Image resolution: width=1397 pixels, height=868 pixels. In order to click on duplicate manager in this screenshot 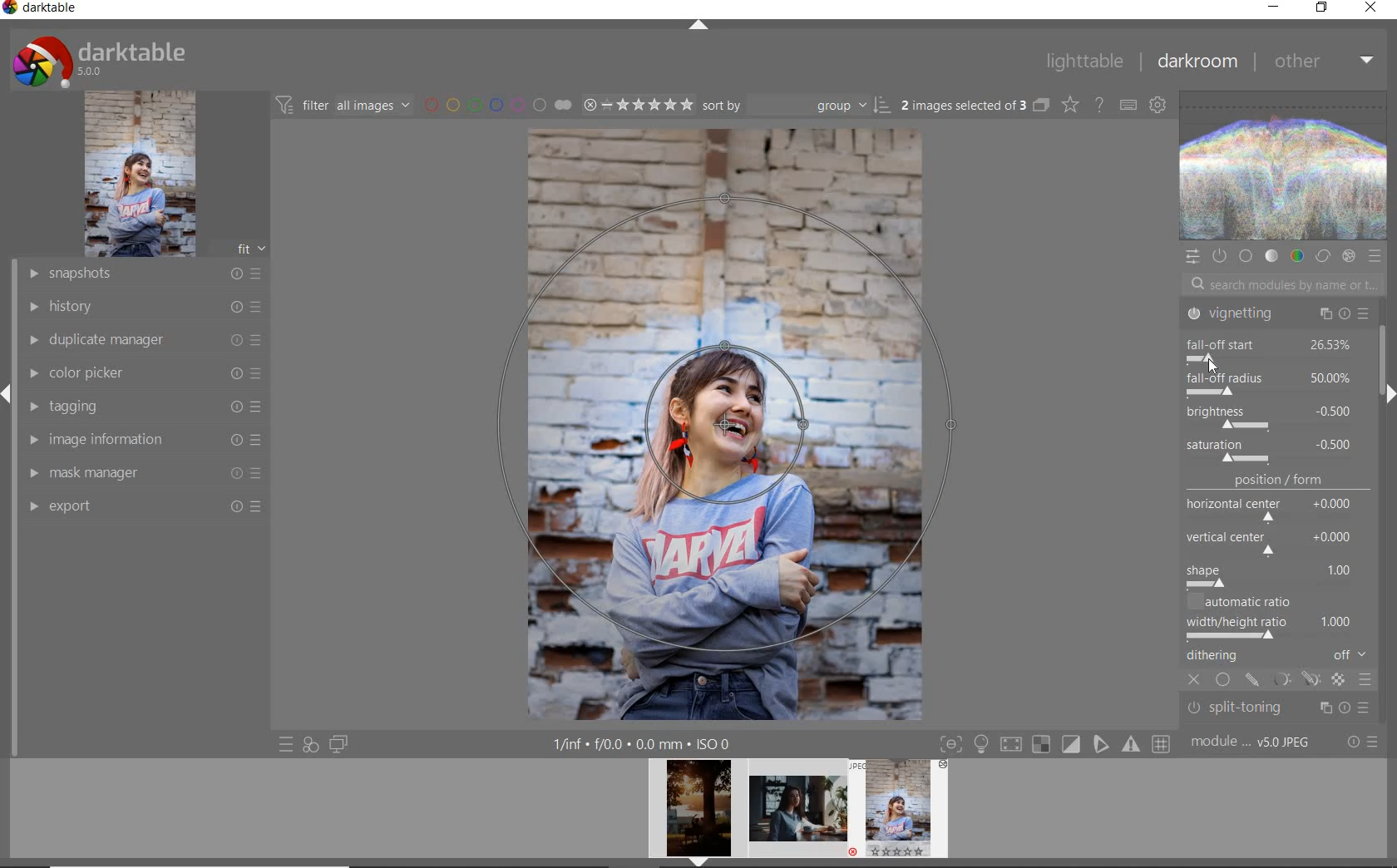, I will do `click(146, 340)`.